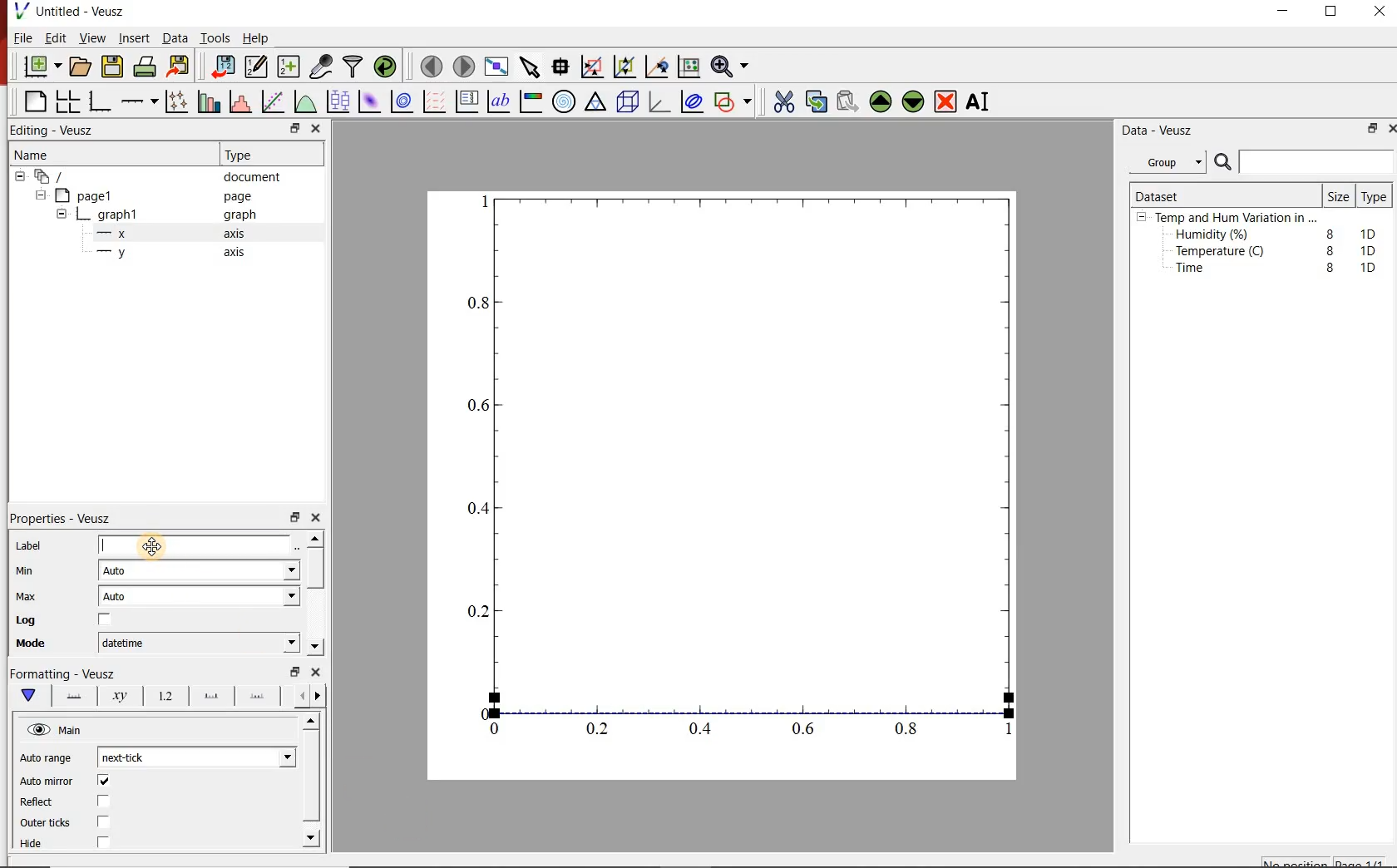  What do you see at coordinates (1003, 732) in the screenshot?
I see `1` at bounding box center [1003, 732].